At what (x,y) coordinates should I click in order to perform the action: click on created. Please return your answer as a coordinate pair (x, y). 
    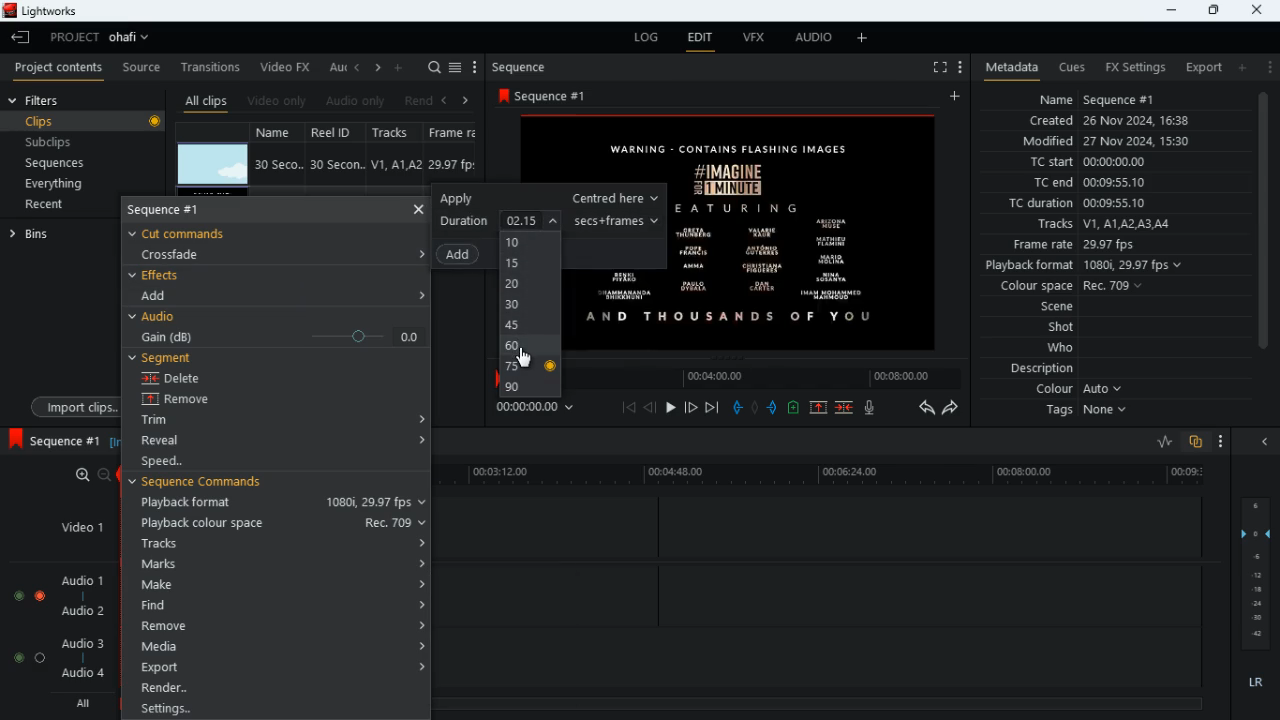
    Looking at the image, I should click on (1111, 122).